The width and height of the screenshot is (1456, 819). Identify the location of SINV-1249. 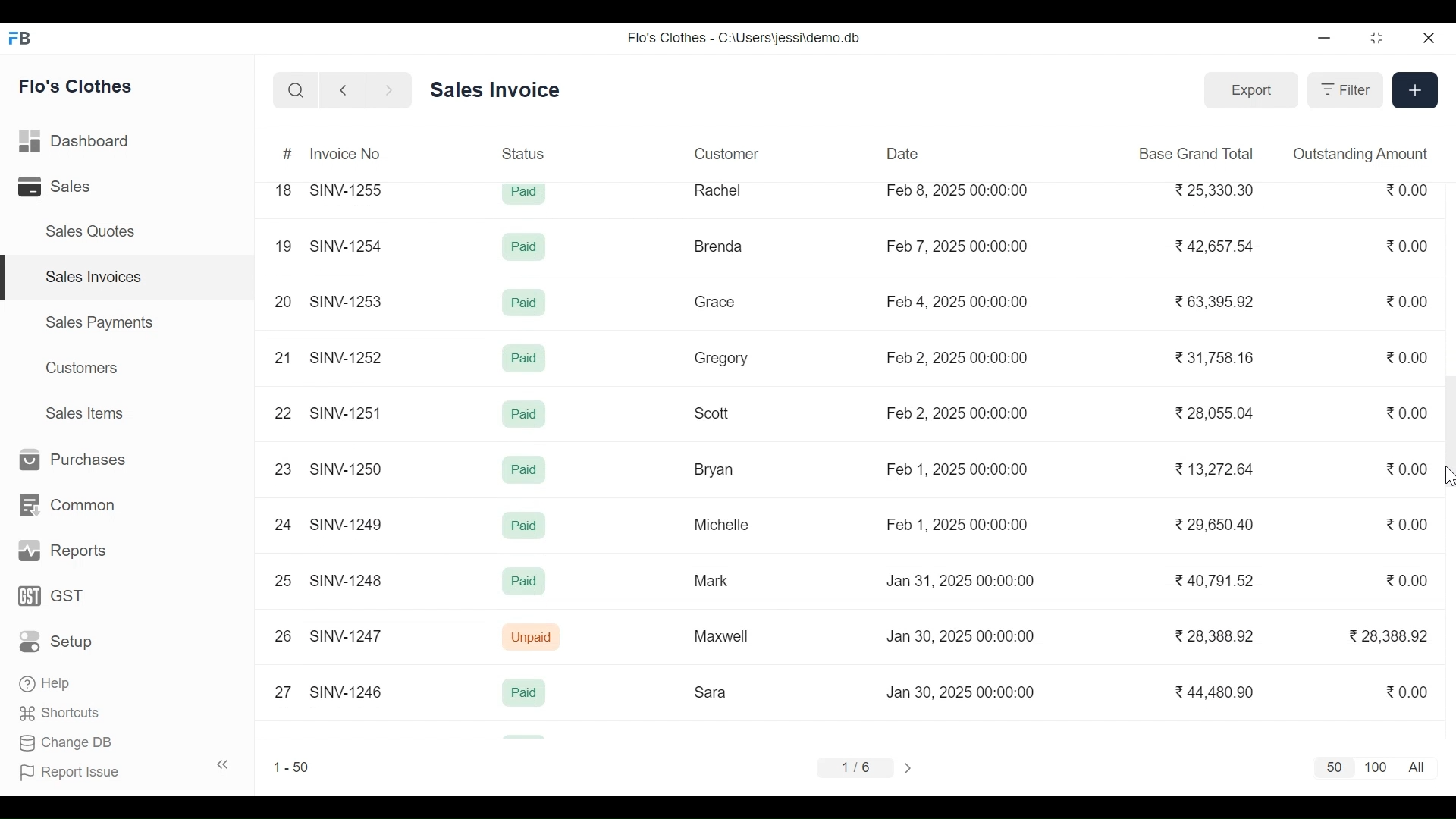
(347, 524).